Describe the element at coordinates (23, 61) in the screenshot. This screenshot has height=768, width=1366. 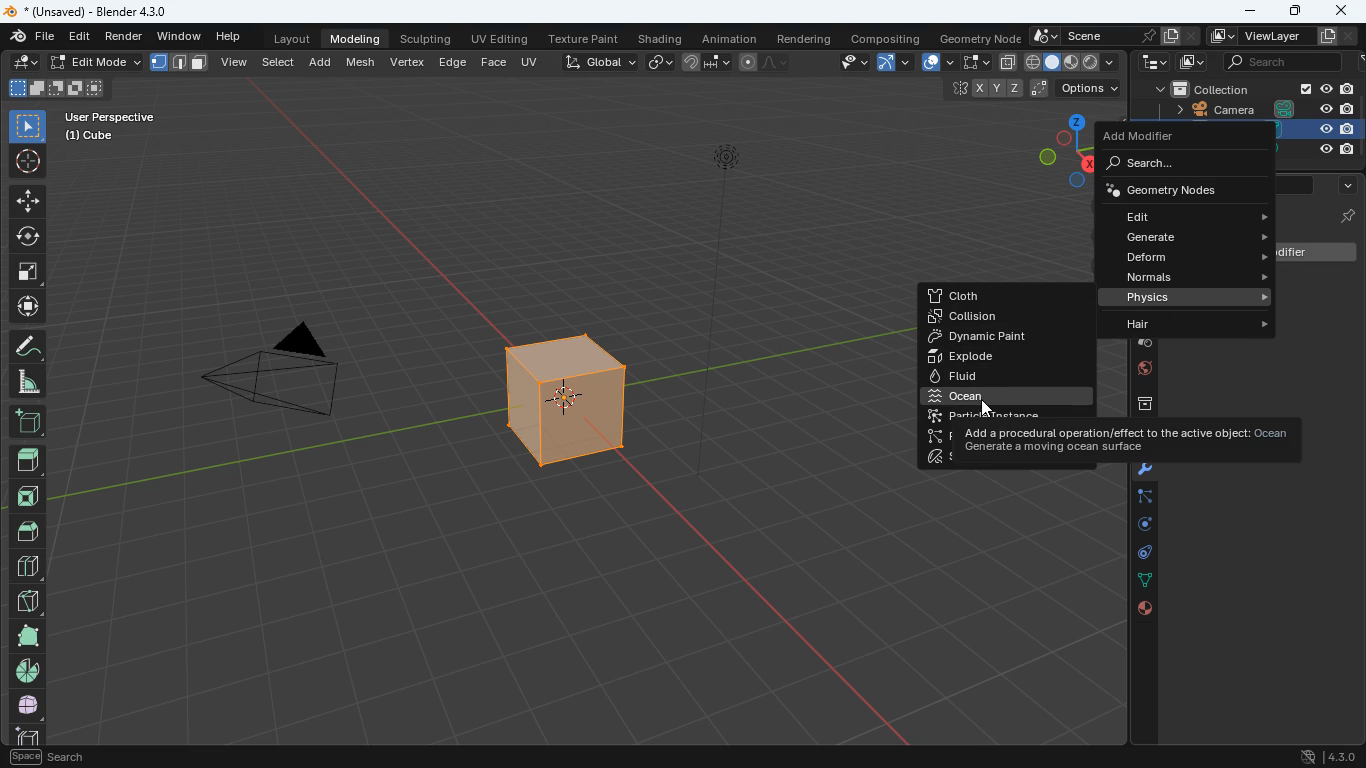
I see `edit` at that location.